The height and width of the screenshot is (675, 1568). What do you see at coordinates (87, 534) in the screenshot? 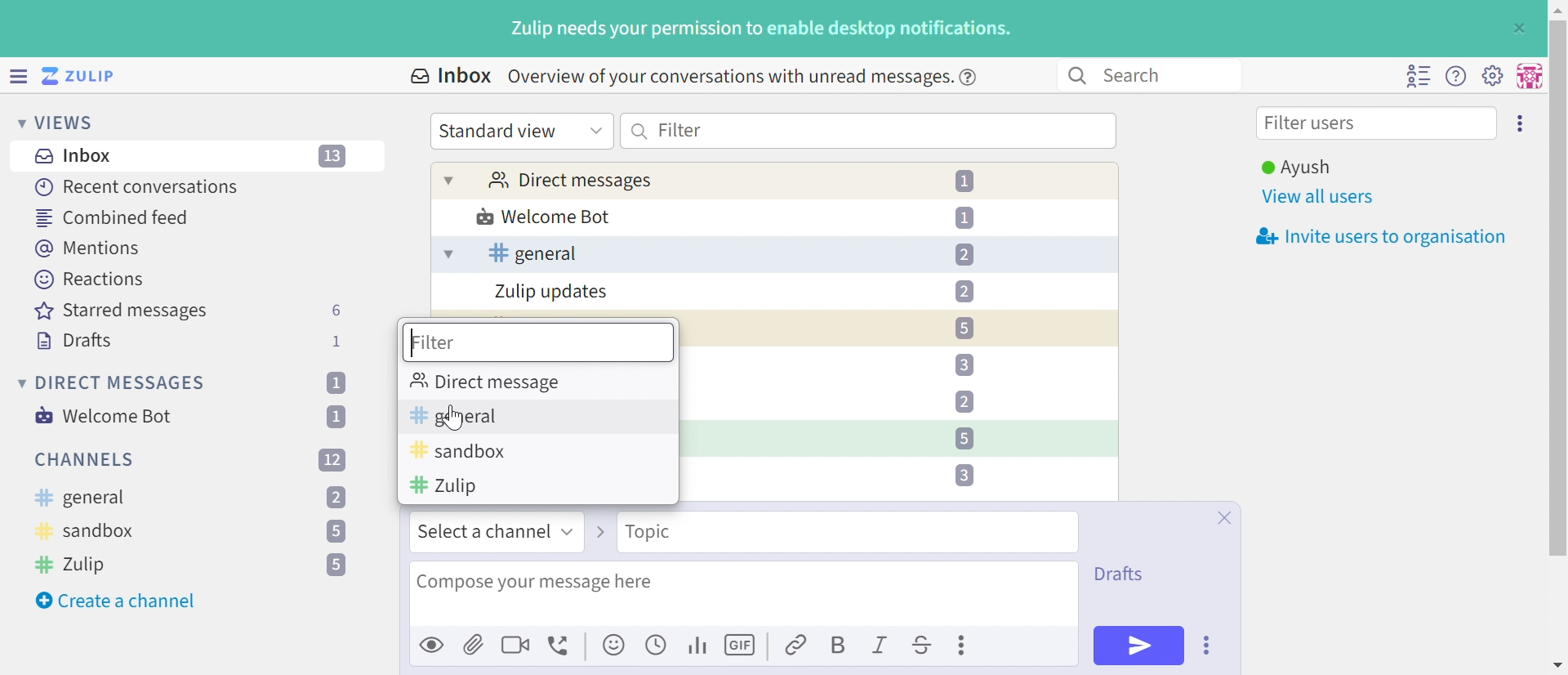
I see `sandbox` at bounding box center [87, 534].